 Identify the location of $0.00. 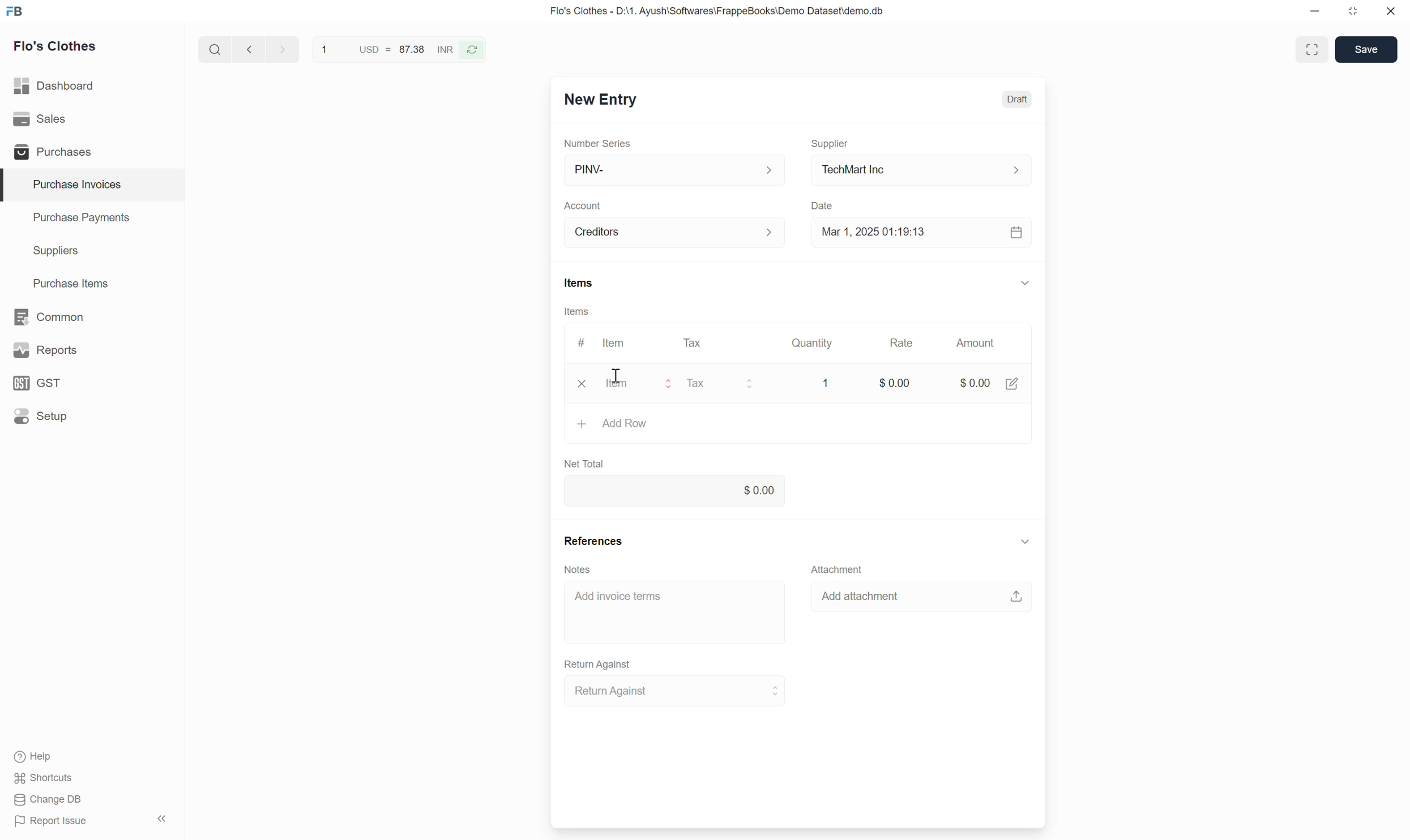
(890, 383).